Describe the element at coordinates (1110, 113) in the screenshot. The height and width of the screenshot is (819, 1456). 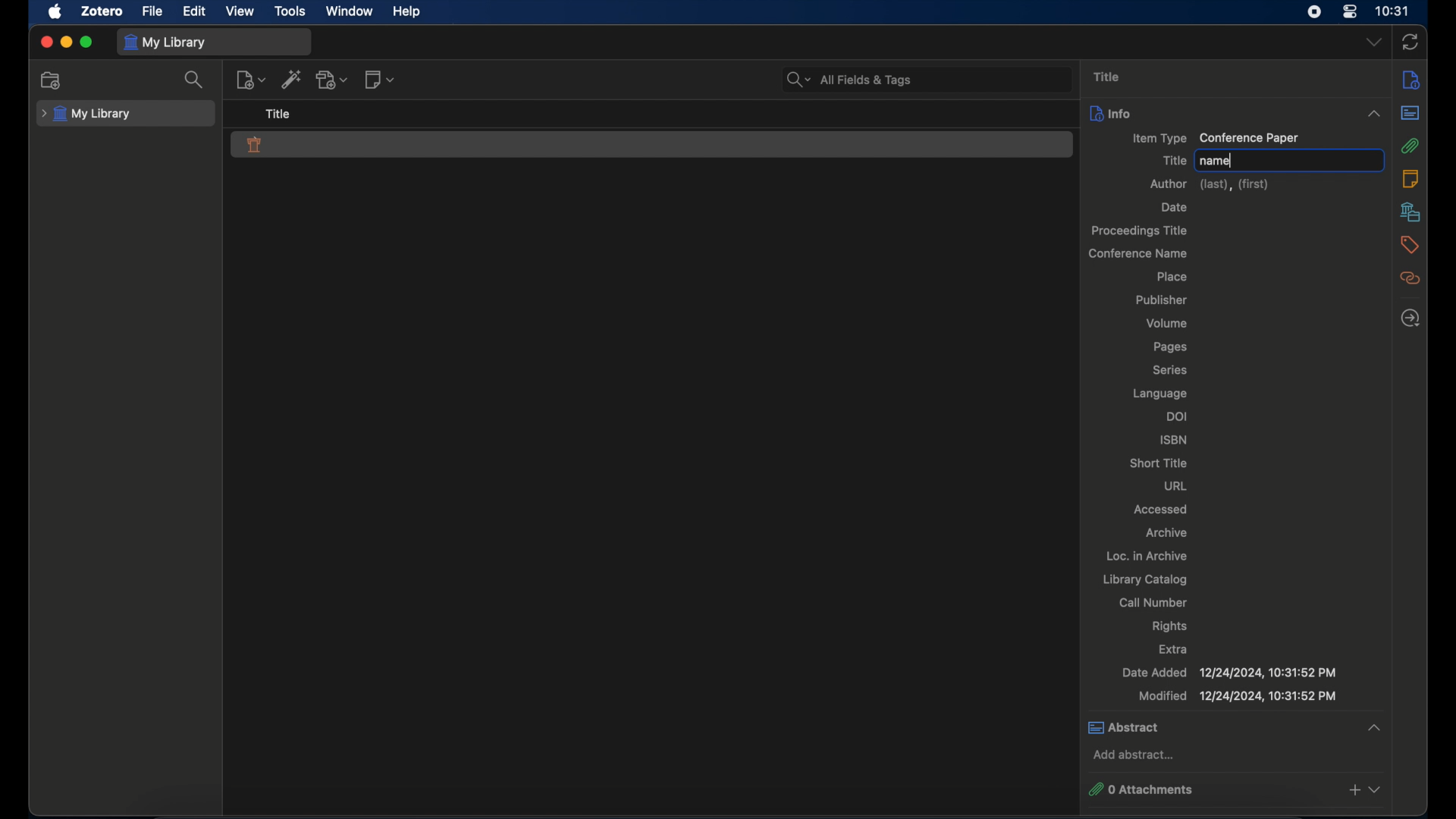
I see `info` at that location.